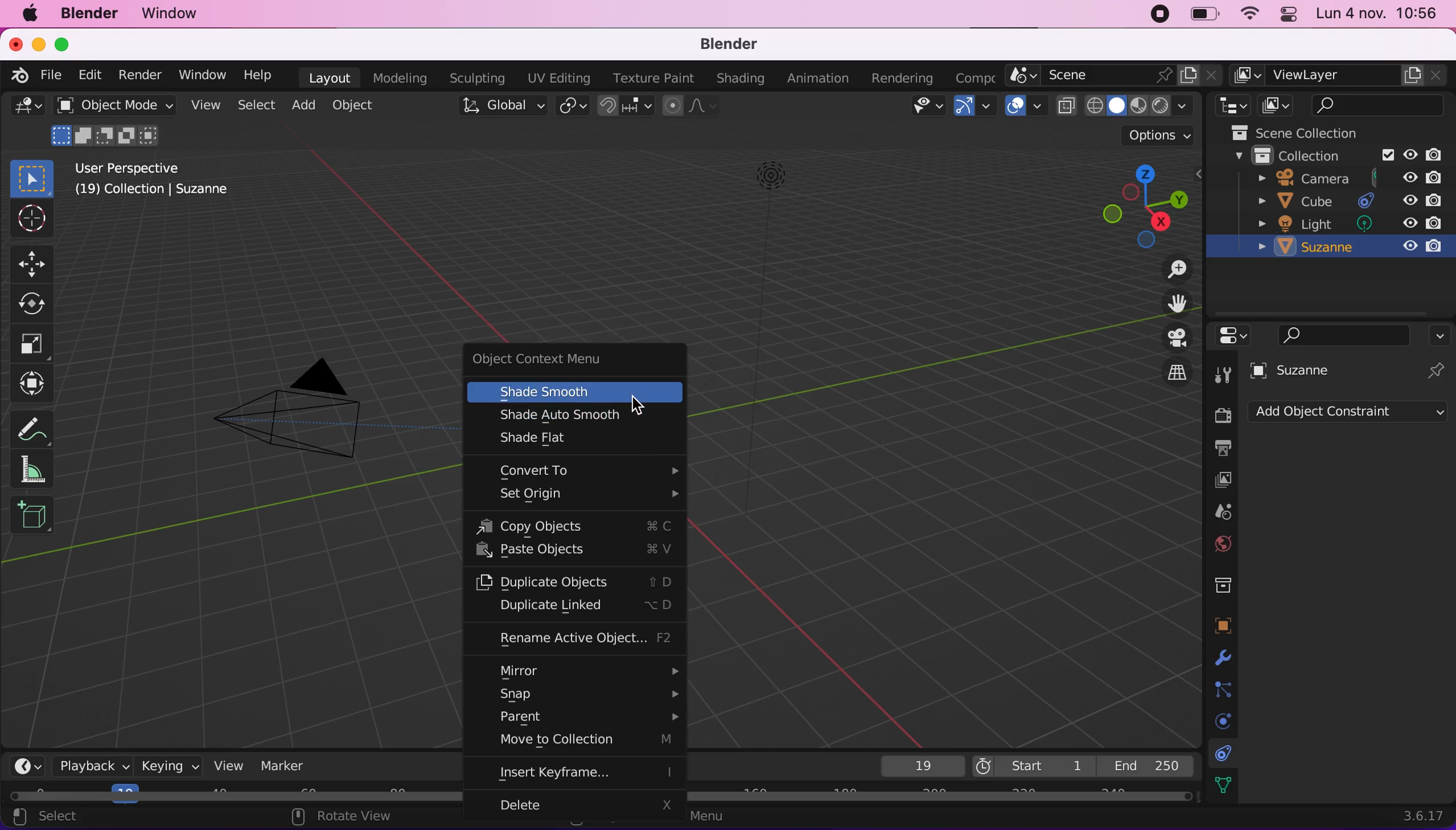  What do you see at coordinates (1219, 719) in the screenshot?
I see `physics` at bounding box center [1219, 719].